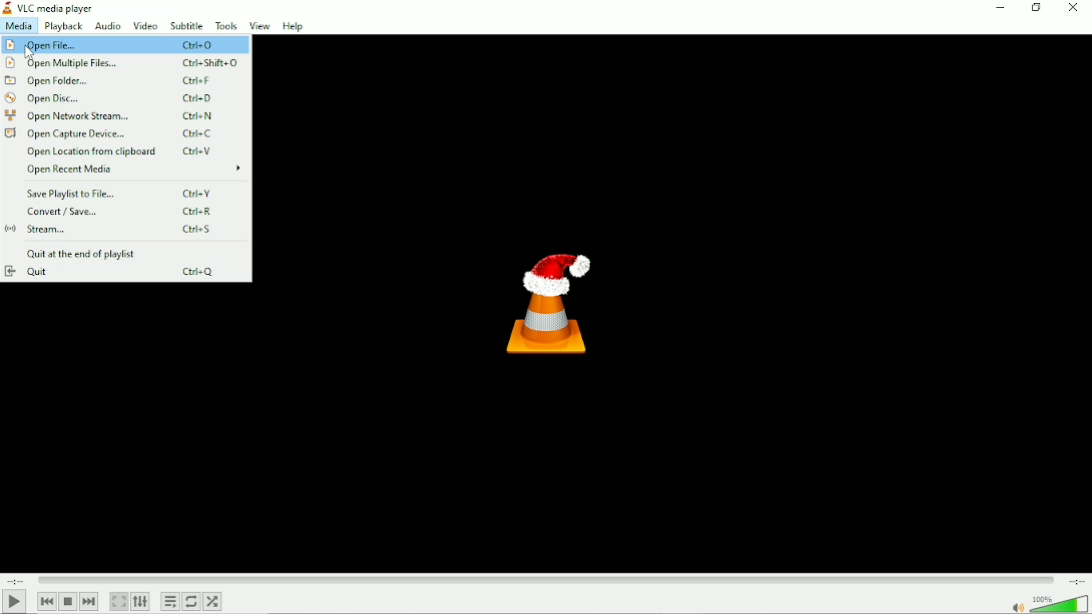  What do you see at coordinates (125, 211) in the screenshot?
I see `Convert/save` at bounding box center [125, 211].